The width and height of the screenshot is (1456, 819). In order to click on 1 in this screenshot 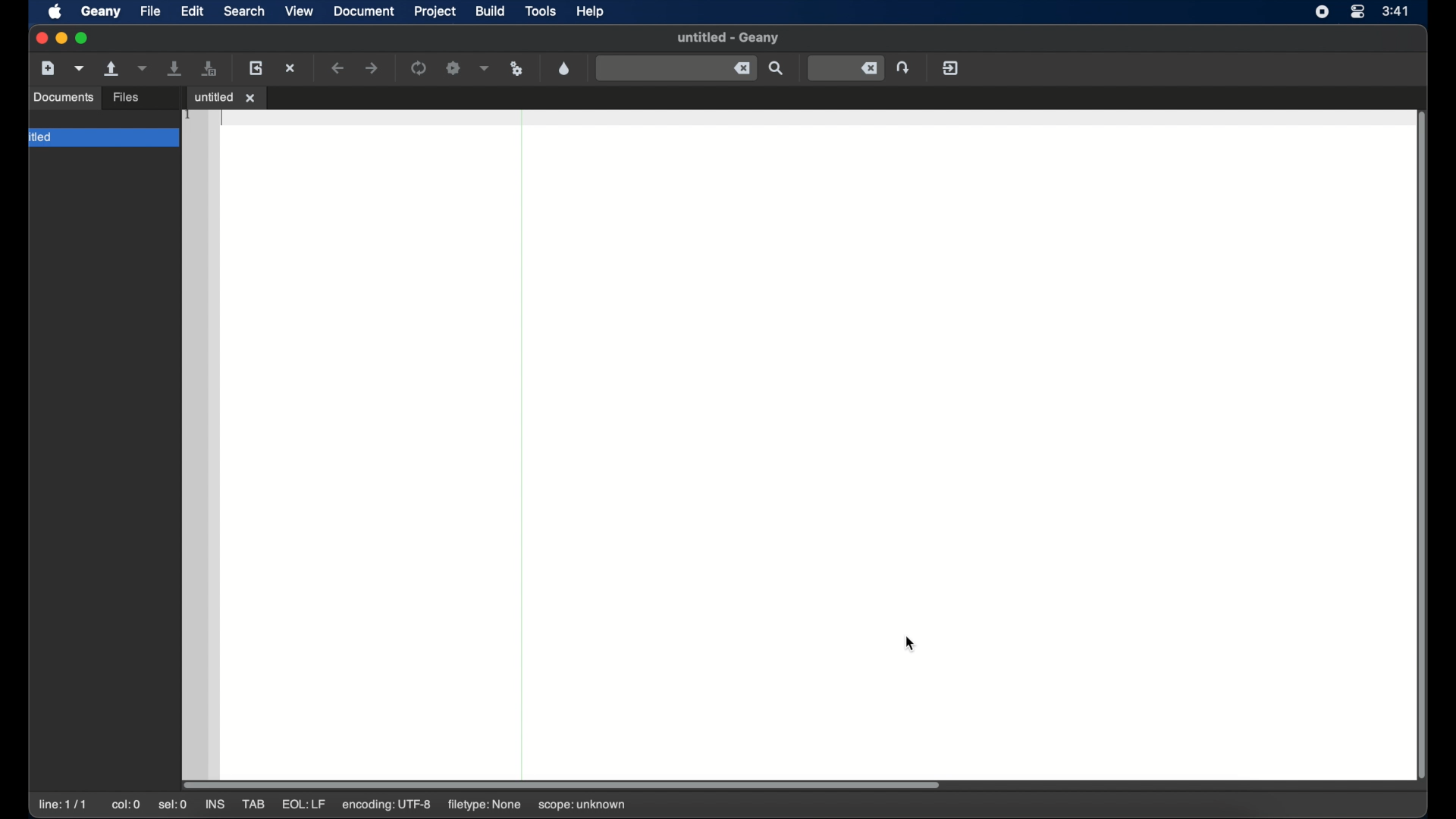, I will do `click(189, 115)`.